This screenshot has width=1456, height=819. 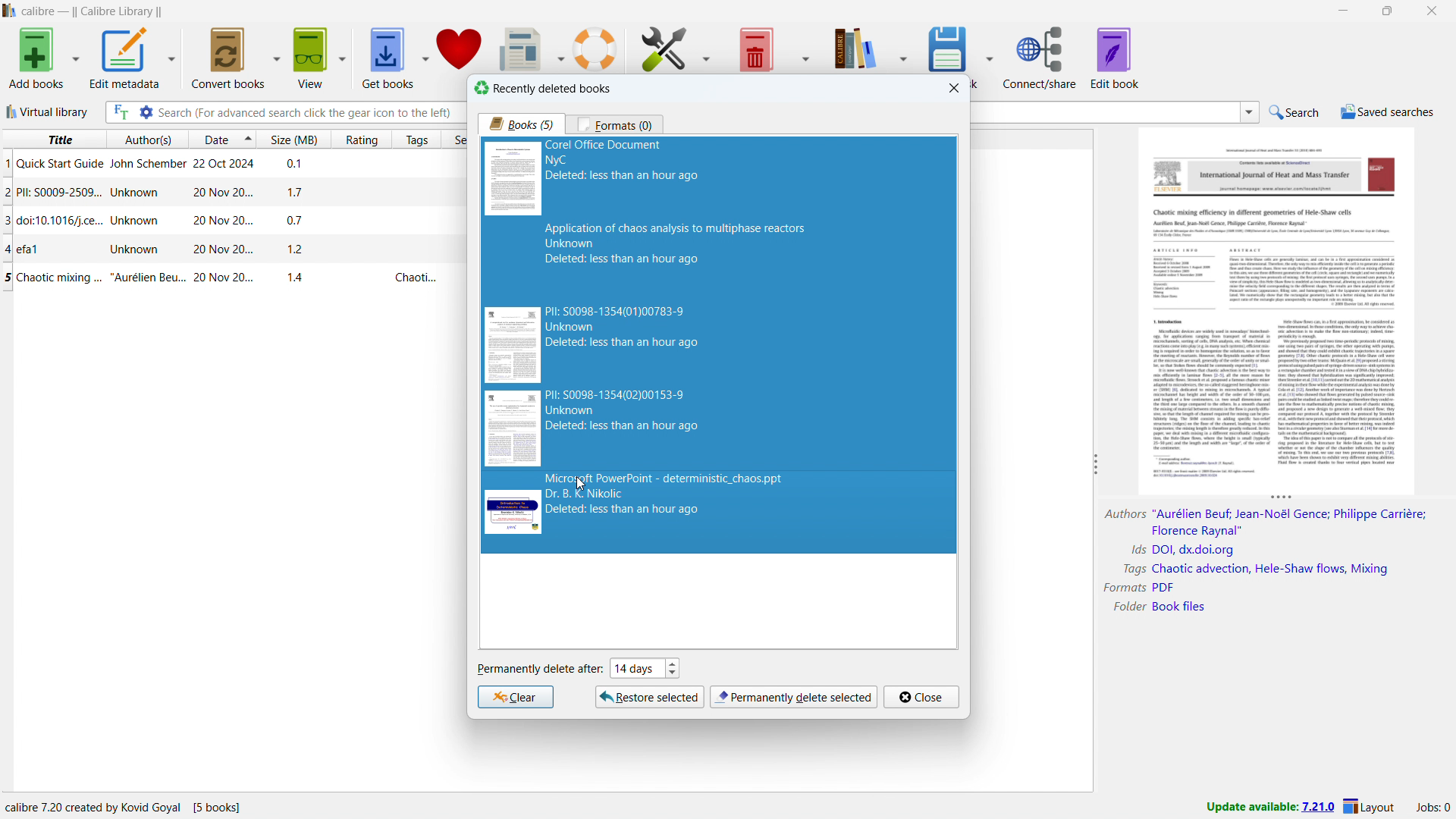 I want to click on single book entry, so click(x=224, y=278).